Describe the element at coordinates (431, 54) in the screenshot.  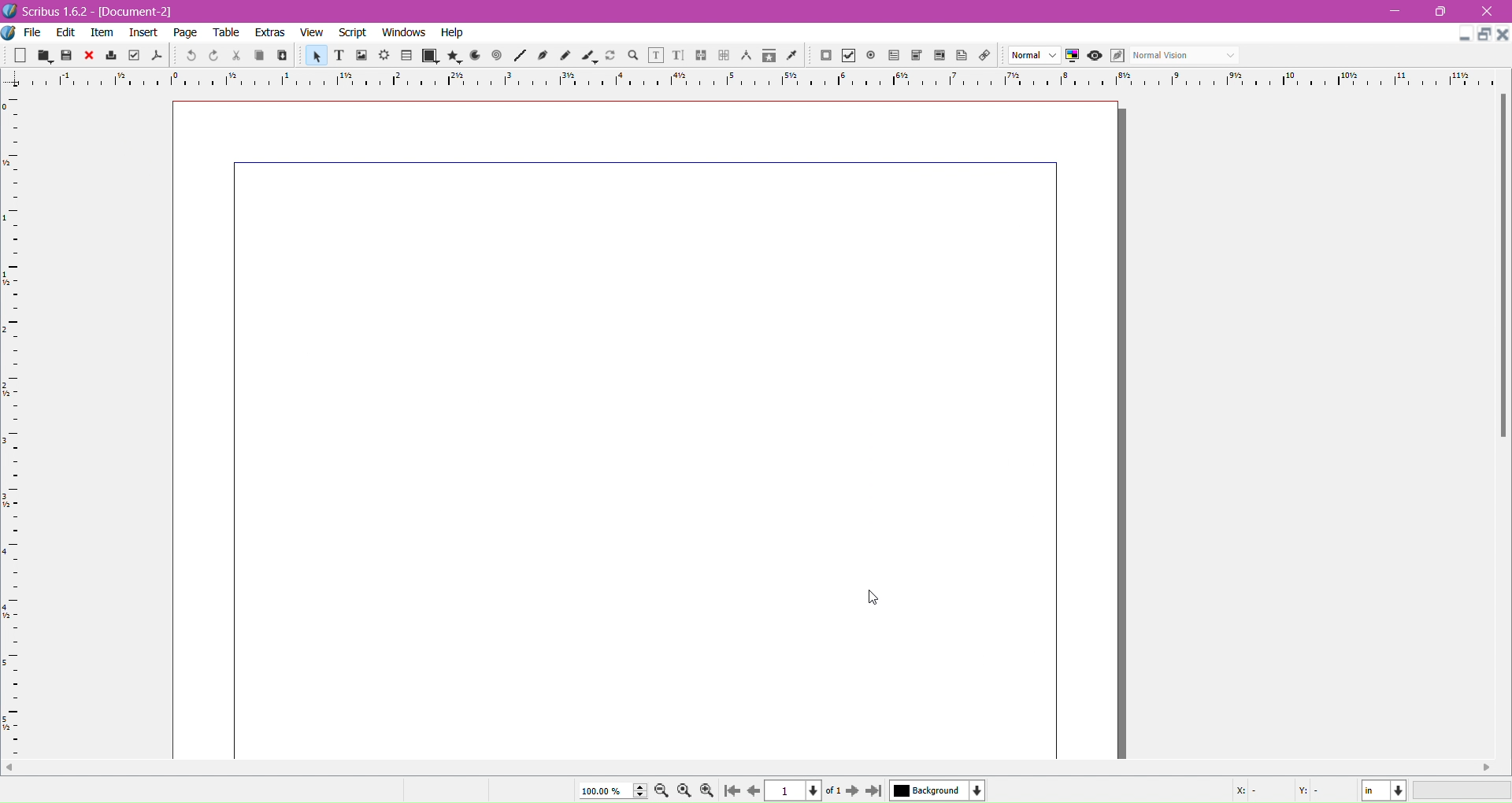
I see `icon` at that location.